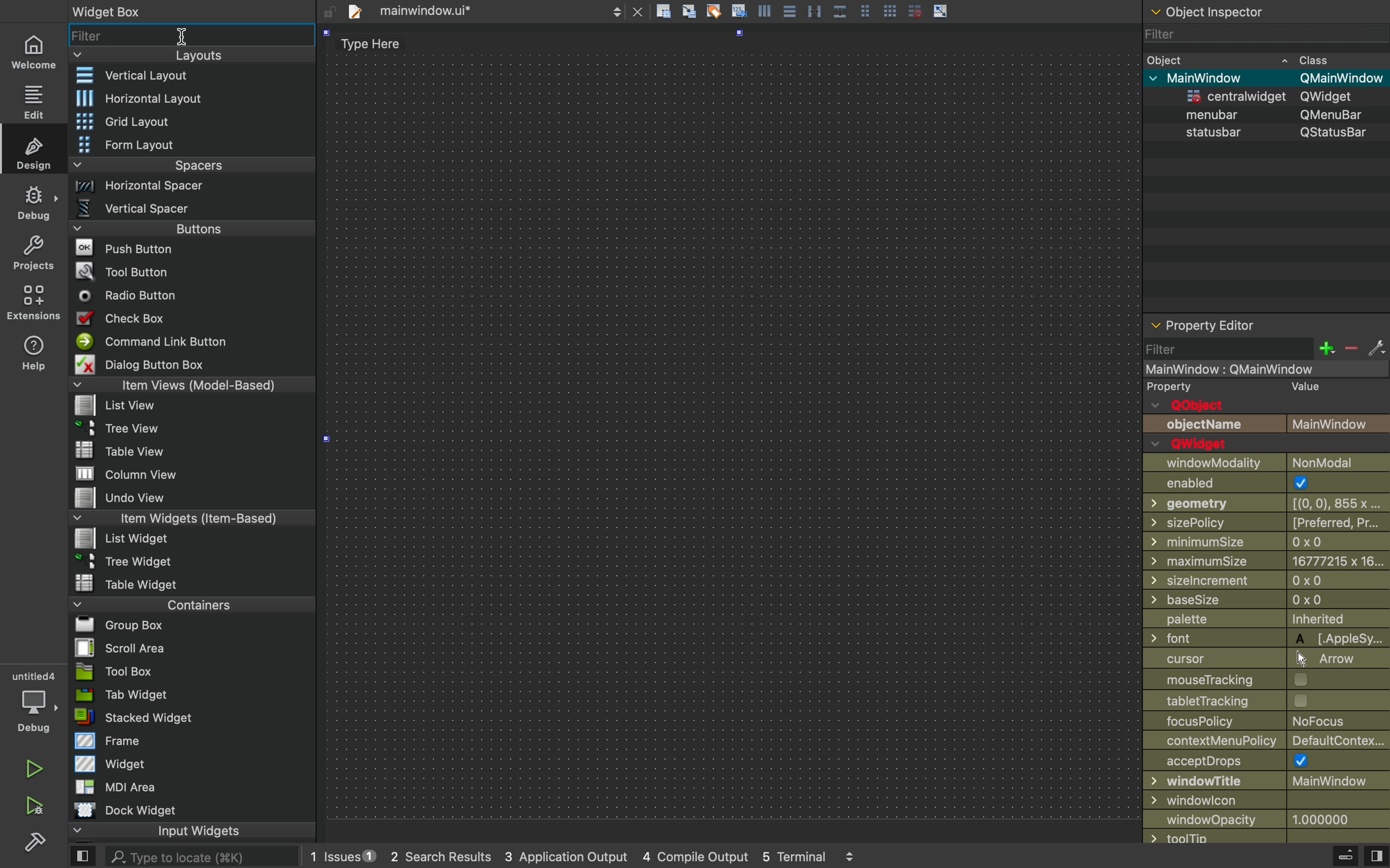  Describe the element at coordinates (186, 832) in the screenshot. I see `input widget` at that location.